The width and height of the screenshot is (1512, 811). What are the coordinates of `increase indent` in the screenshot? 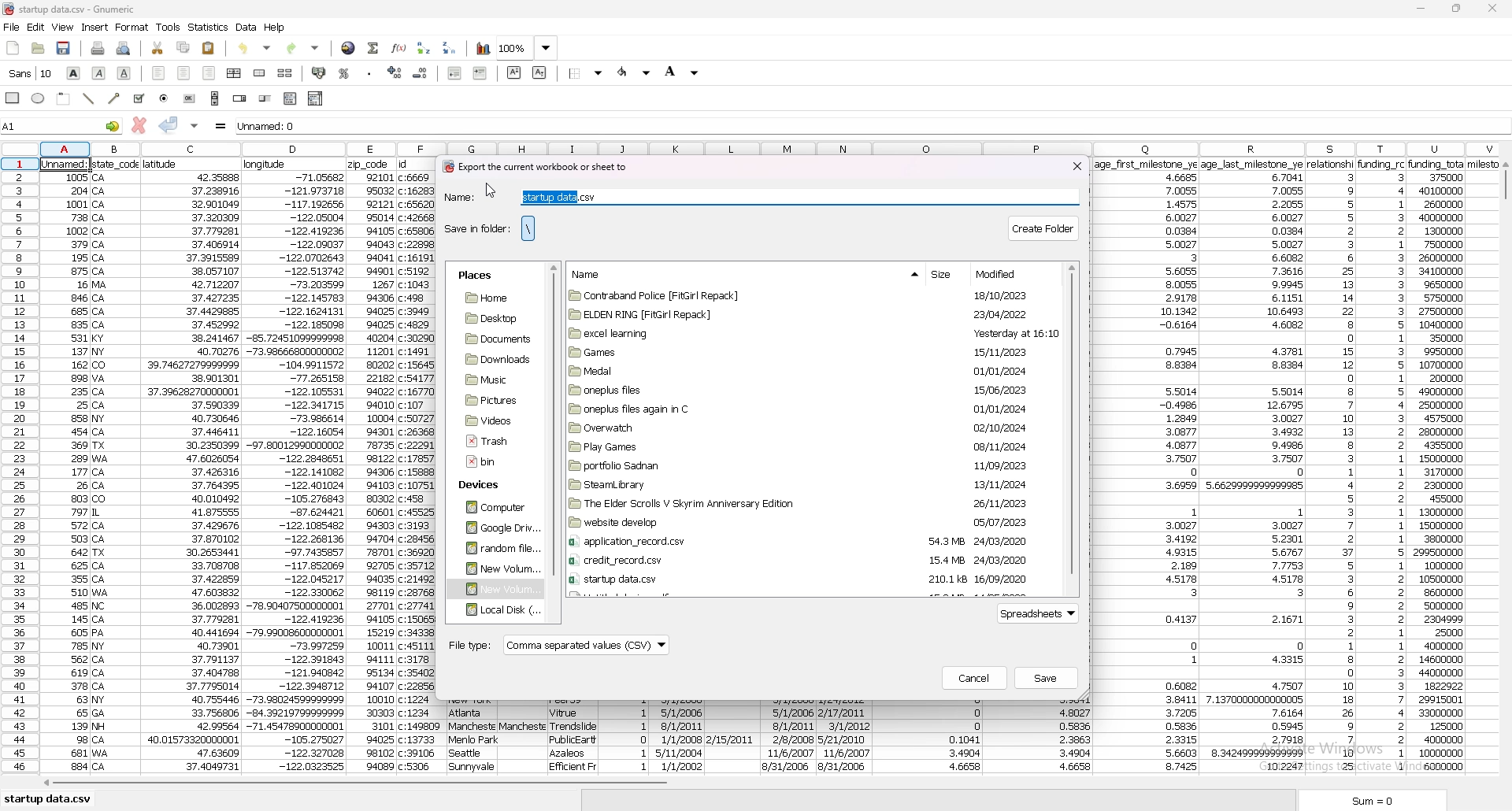 It's located at (480, 72).